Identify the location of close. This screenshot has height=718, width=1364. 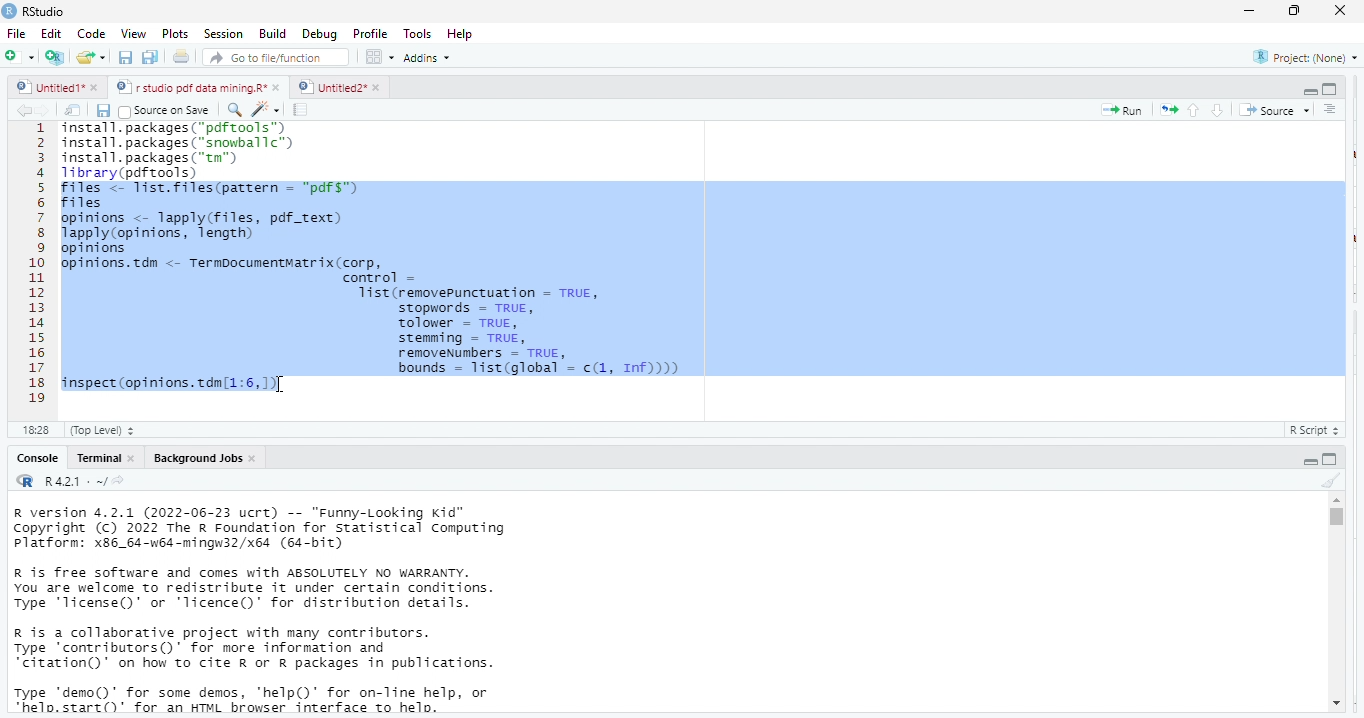
(376, 87).